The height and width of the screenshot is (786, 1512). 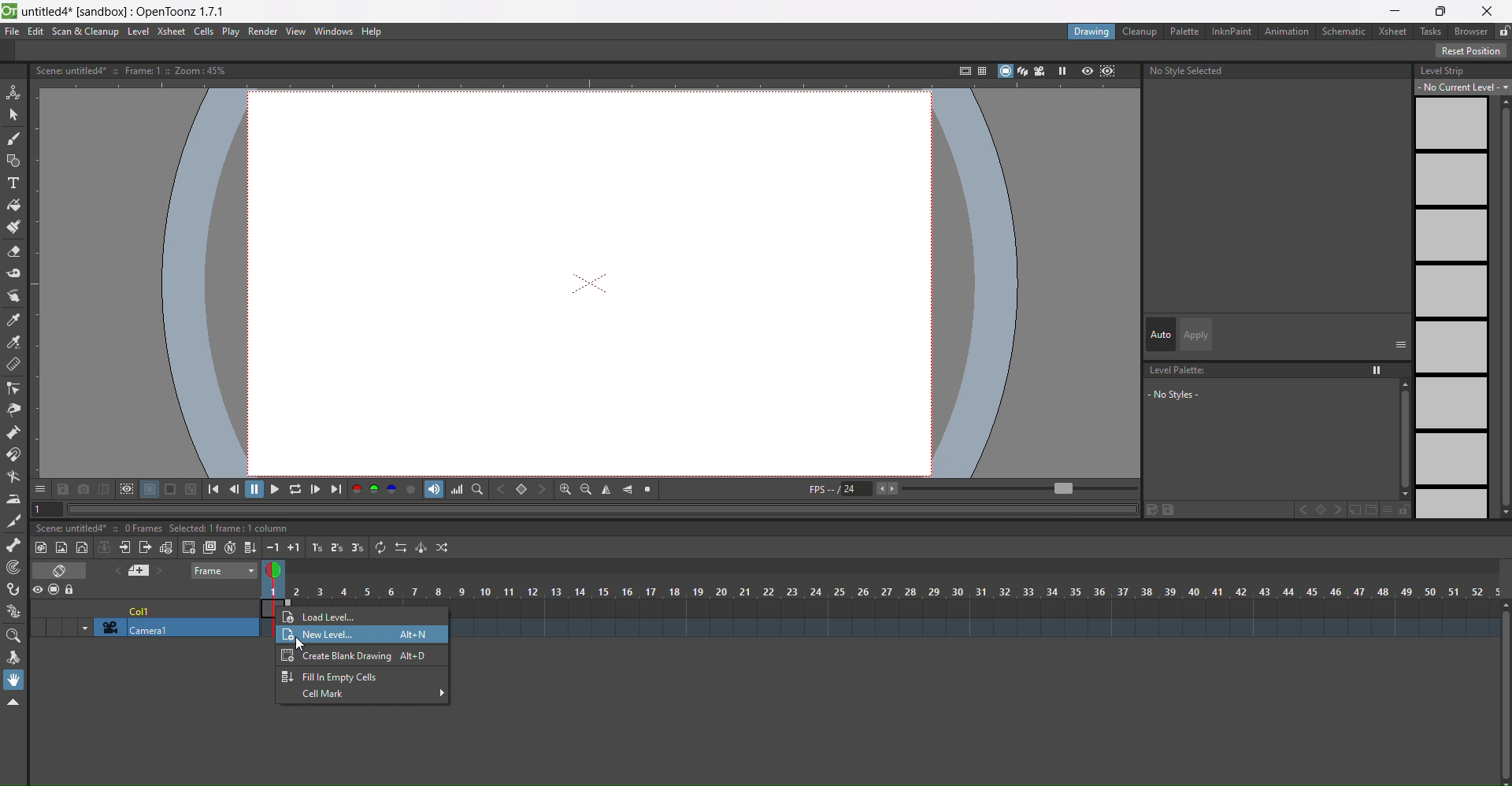 What do you see at coordinates (40, 488) in the screenshot?
I see `options` at bounding box center [40, 488].